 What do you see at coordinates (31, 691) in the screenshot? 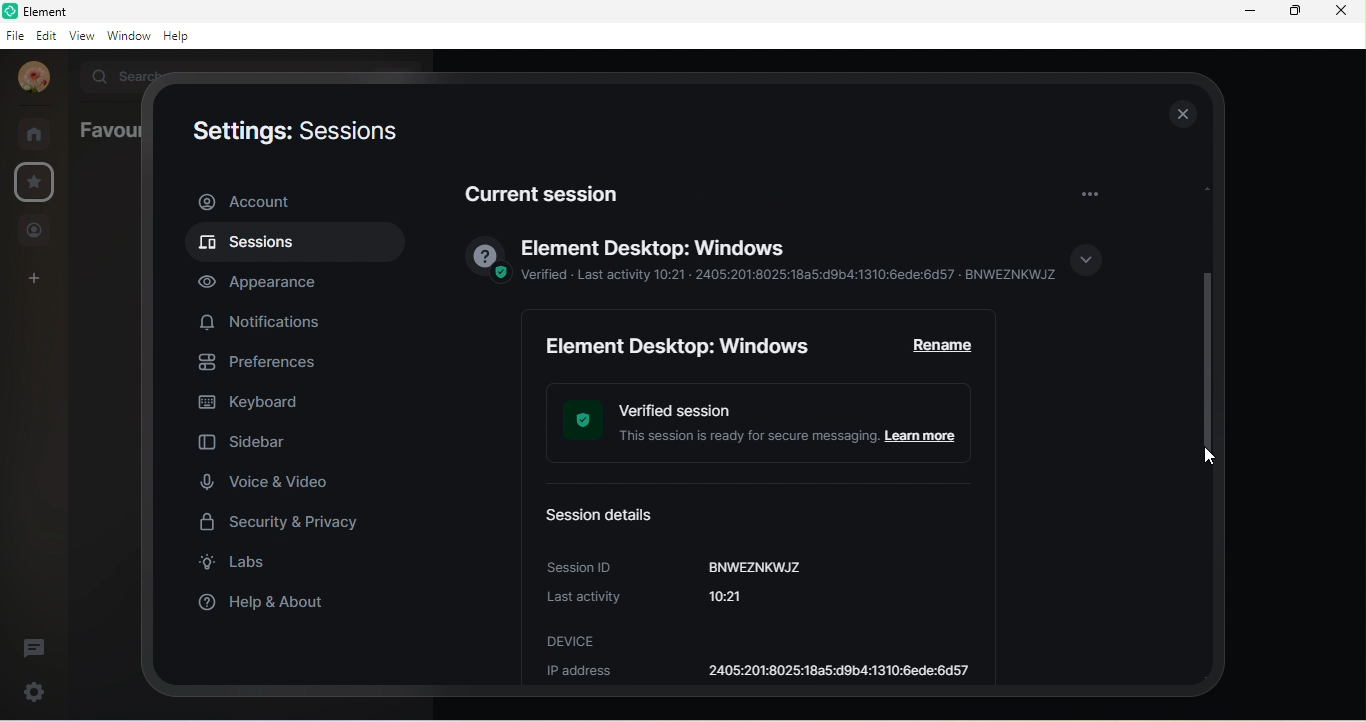
I see `settings` at bounding box center [31, 691].